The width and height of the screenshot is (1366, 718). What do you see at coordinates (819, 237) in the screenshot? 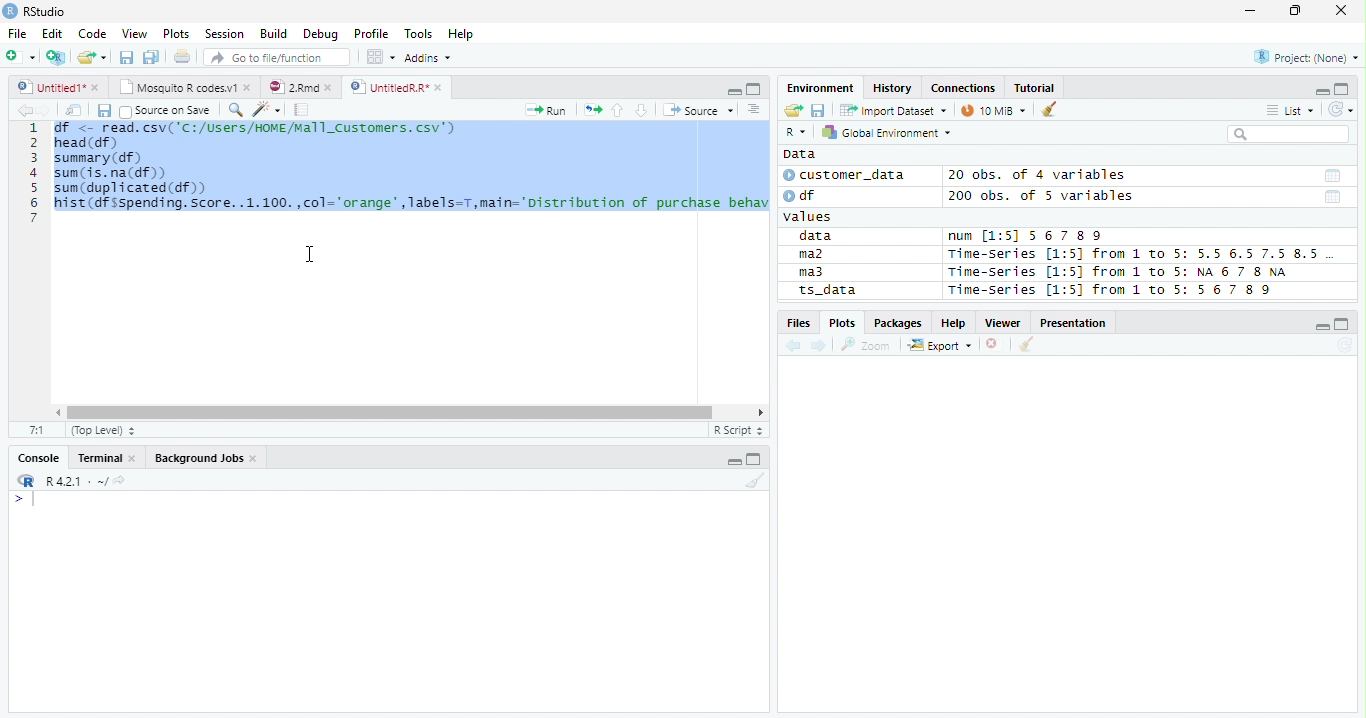
I see `data` at bounding box center [819, 237].